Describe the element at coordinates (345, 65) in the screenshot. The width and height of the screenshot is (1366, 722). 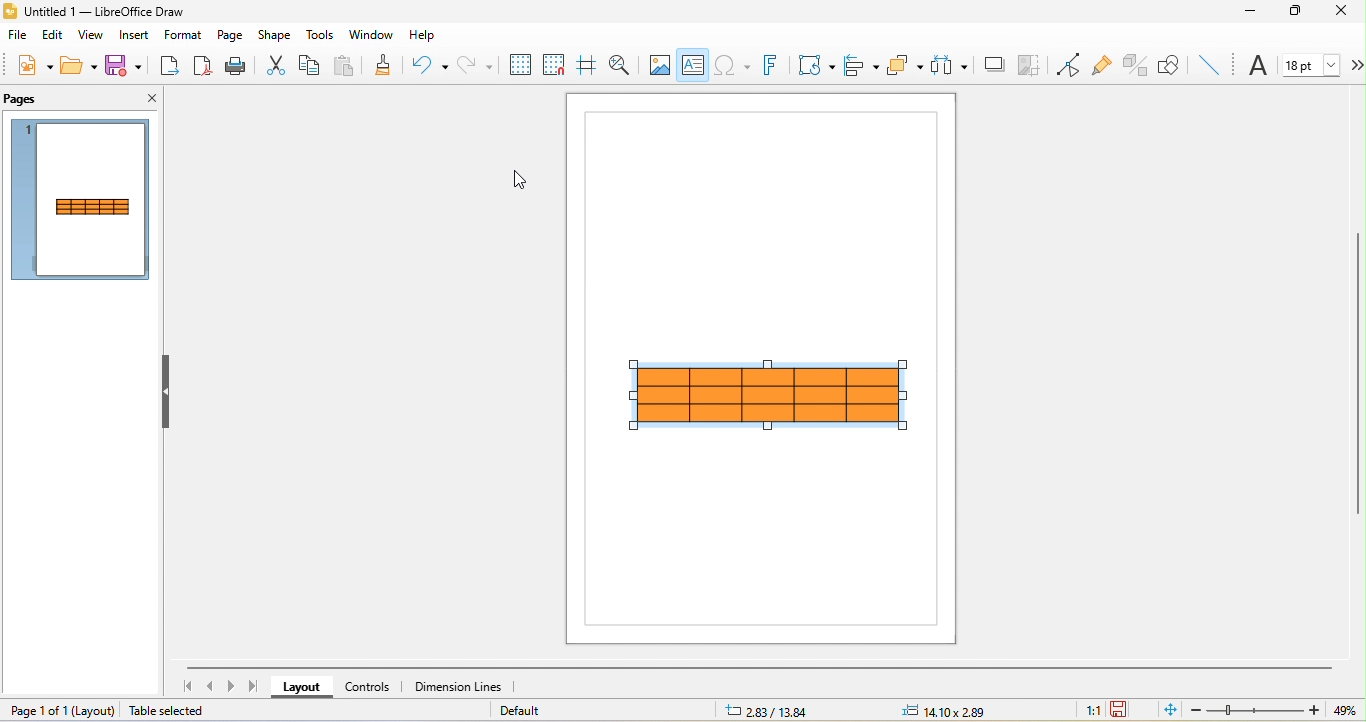
I see `paste` at that location.